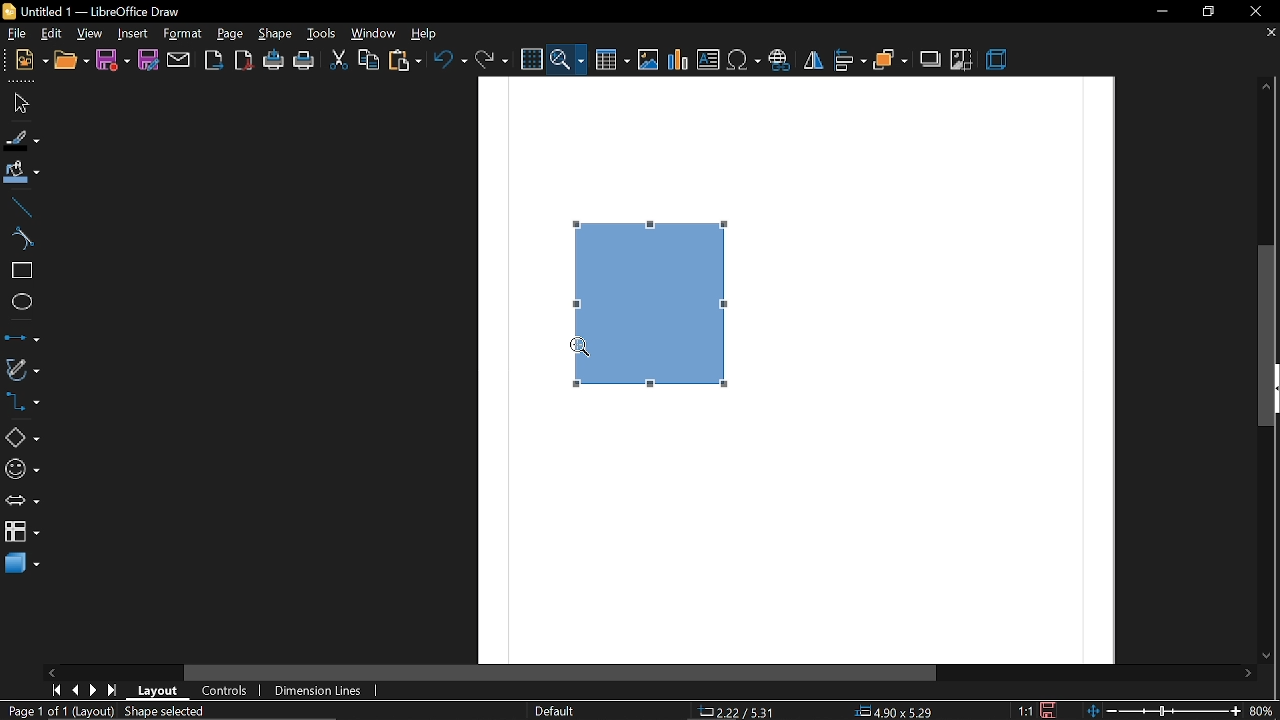 The height and width of the screenshot is (720, 1280). Describe the element at coordinates (112, 59) in the screenshot. I see `save` at that location.